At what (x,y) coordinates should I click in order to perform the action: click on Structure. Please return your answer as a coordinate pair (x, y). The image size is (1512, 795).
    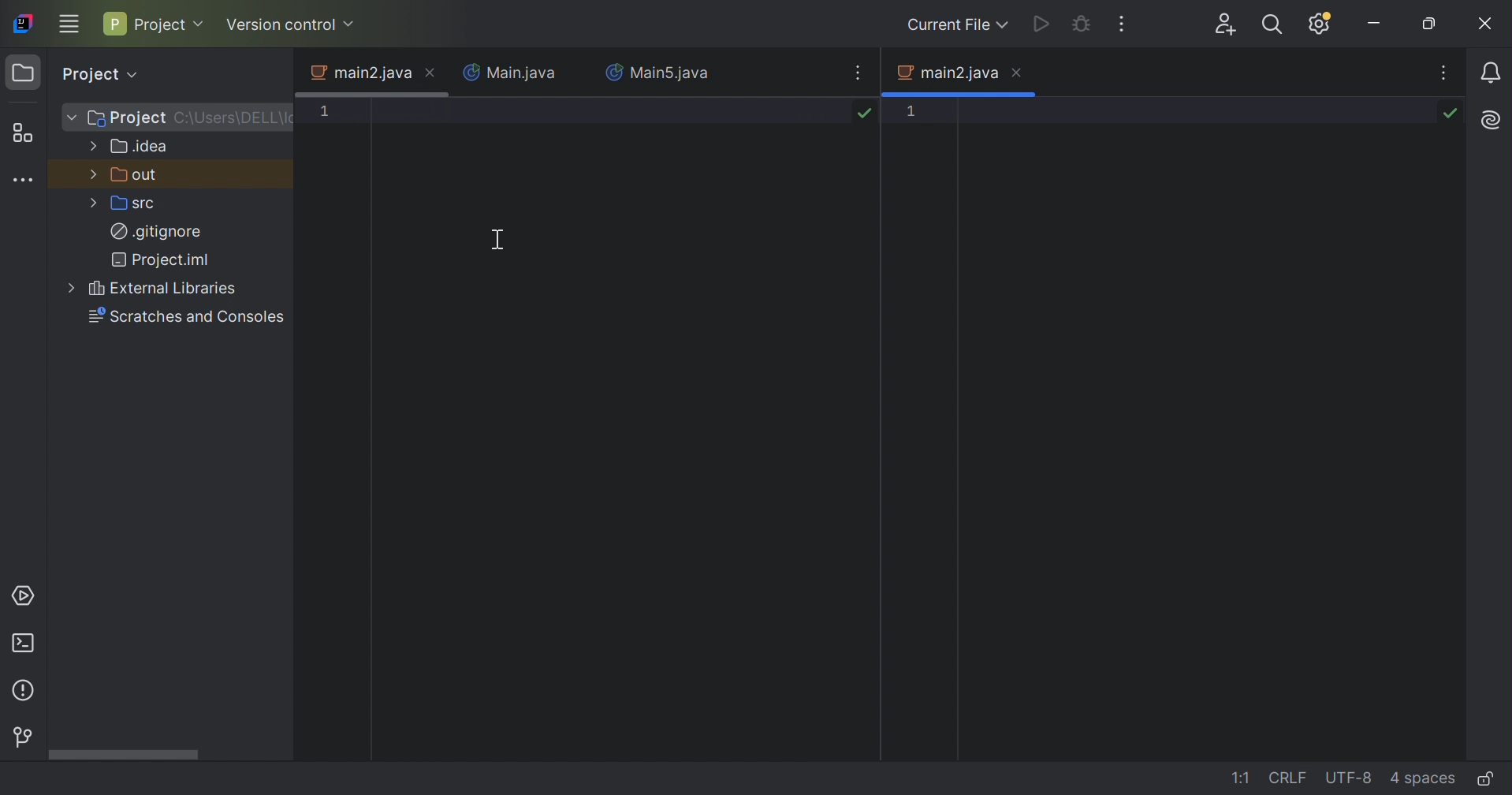
    Looking at the image, I should click on (22, 136).